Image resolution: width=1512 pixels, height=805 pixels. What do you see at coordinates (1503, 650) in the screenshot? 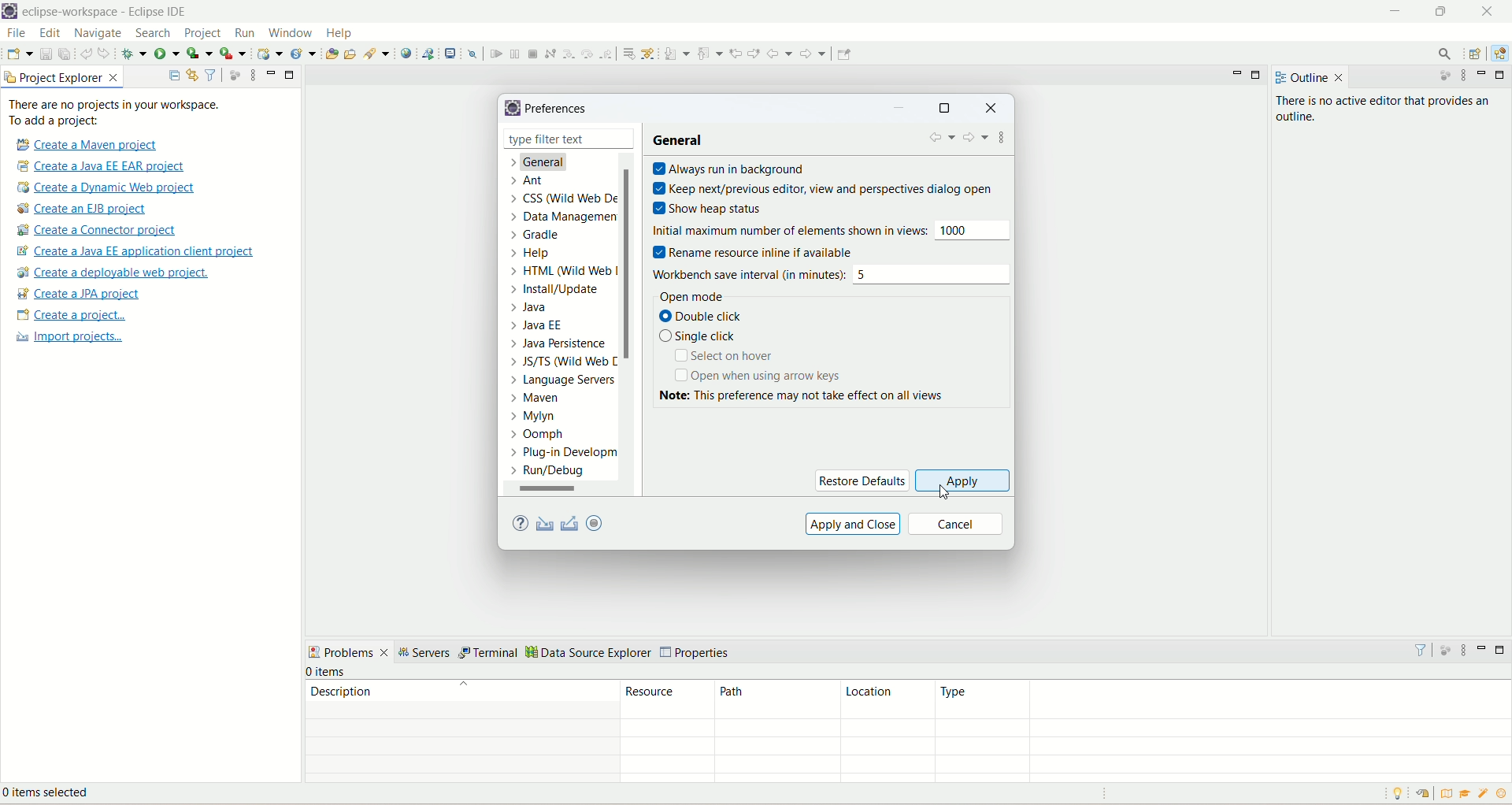
I see `maximize` at bounding box center [1503, 650].